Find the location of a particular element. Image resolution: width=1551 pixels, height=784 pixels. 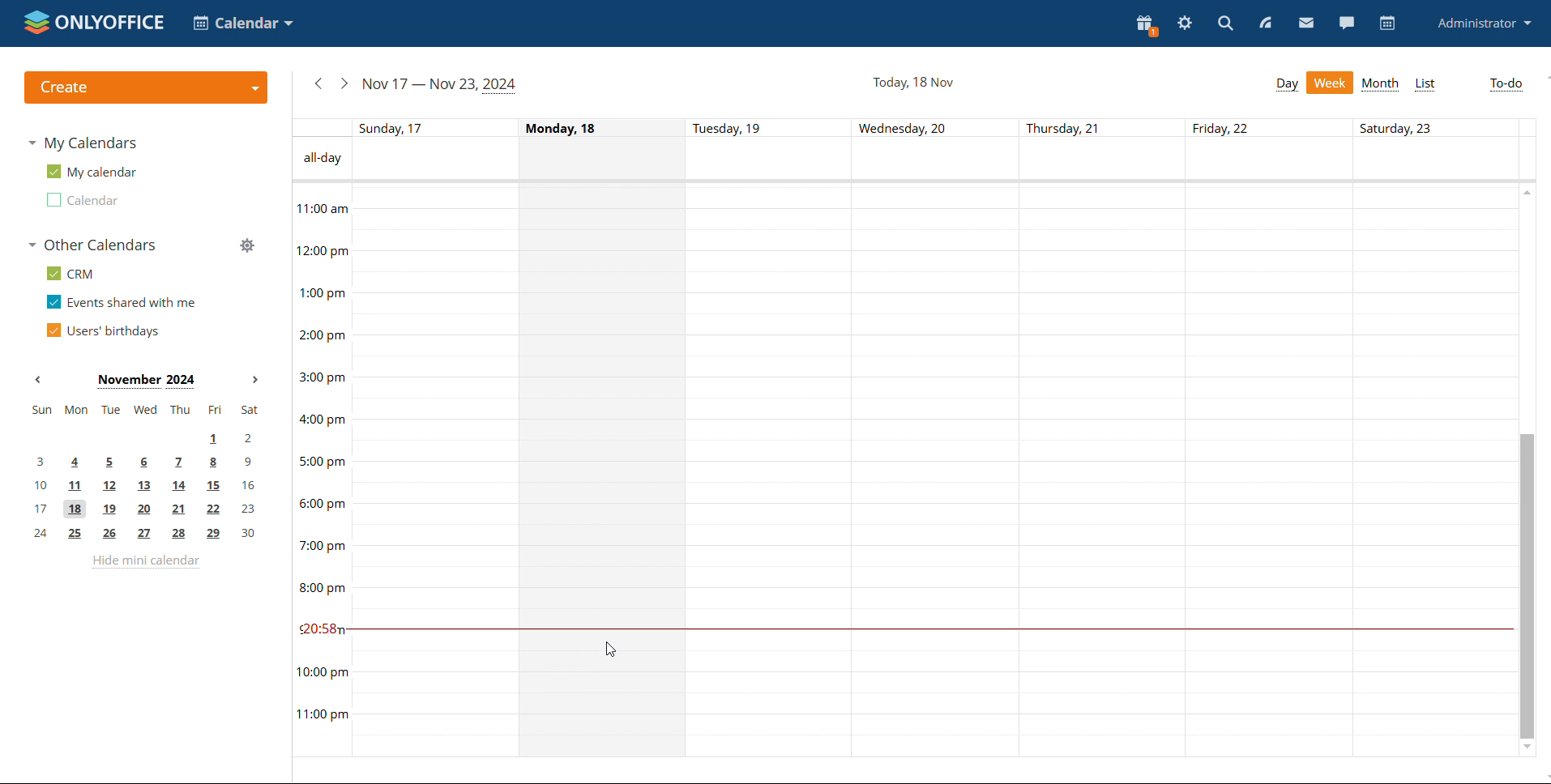

current week is located at coordinates (442, 85).